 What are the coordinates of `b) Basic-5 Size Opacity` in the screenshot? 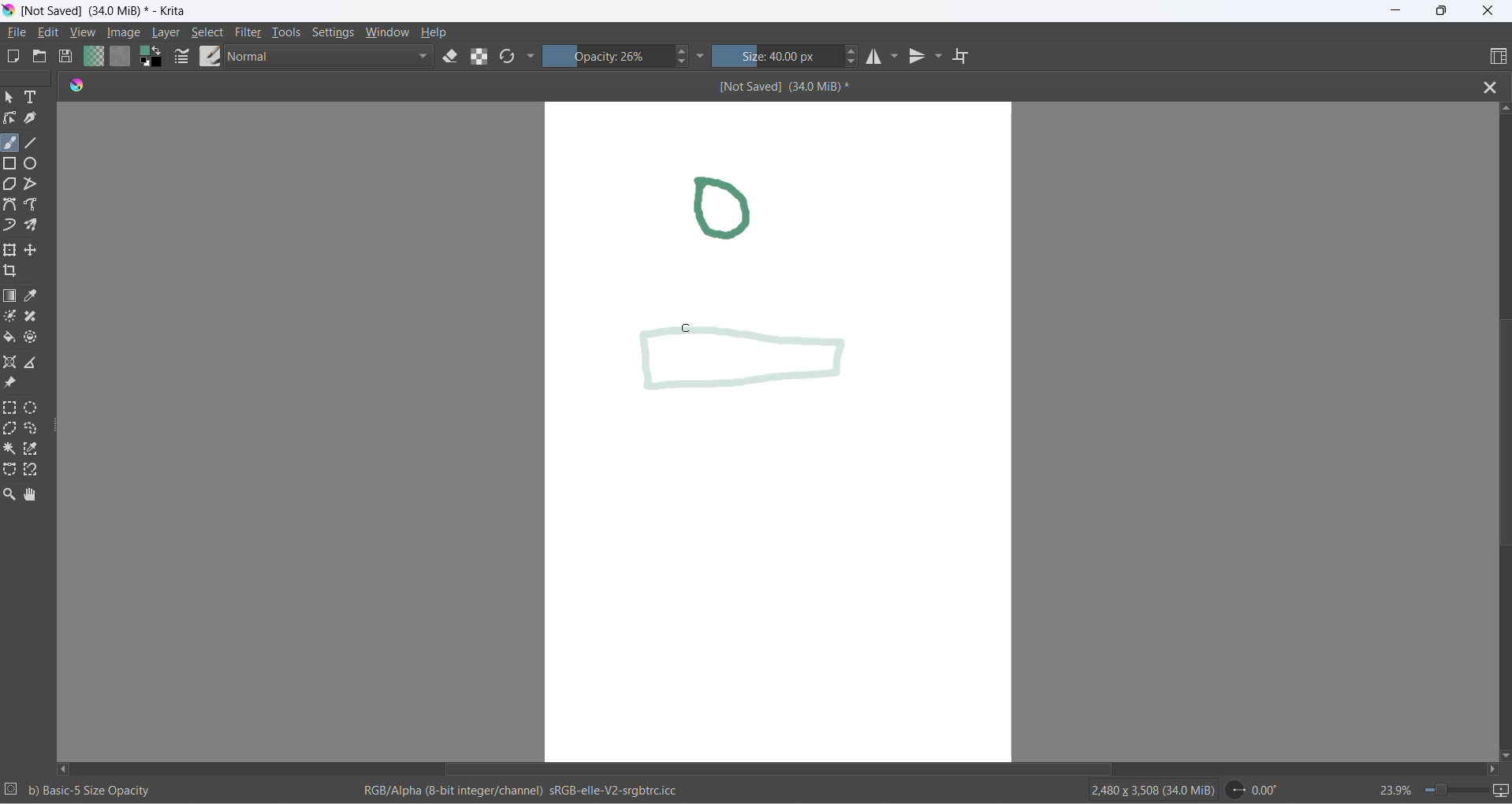 It's located at (92, 789).